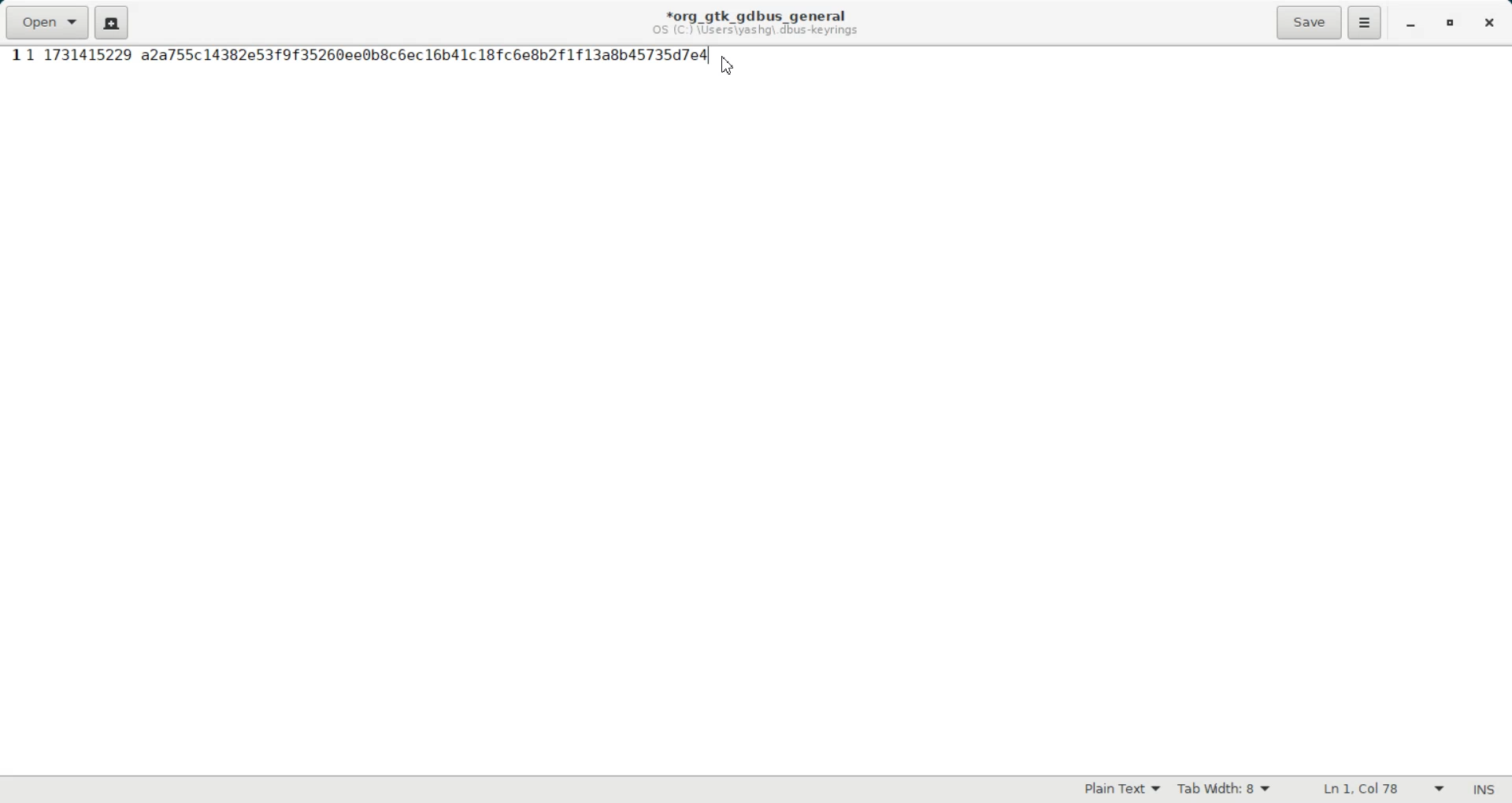  Describe the element at coordinates (1368, 790) in the screenshot. I see `Text Wrapping` at that location.